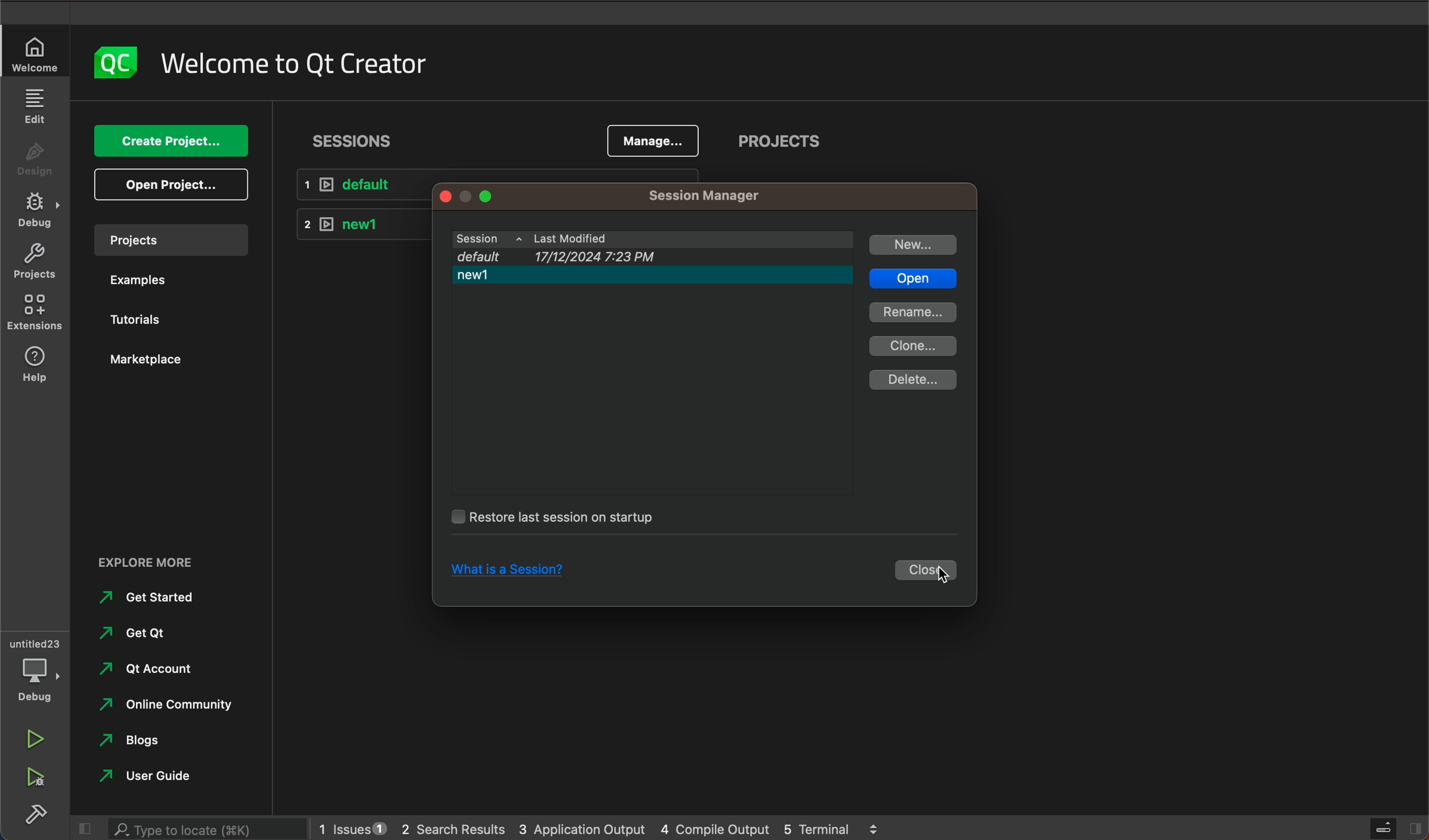 This screenshot has height=840, width=1429. I want to click on project, so click(170, 239).